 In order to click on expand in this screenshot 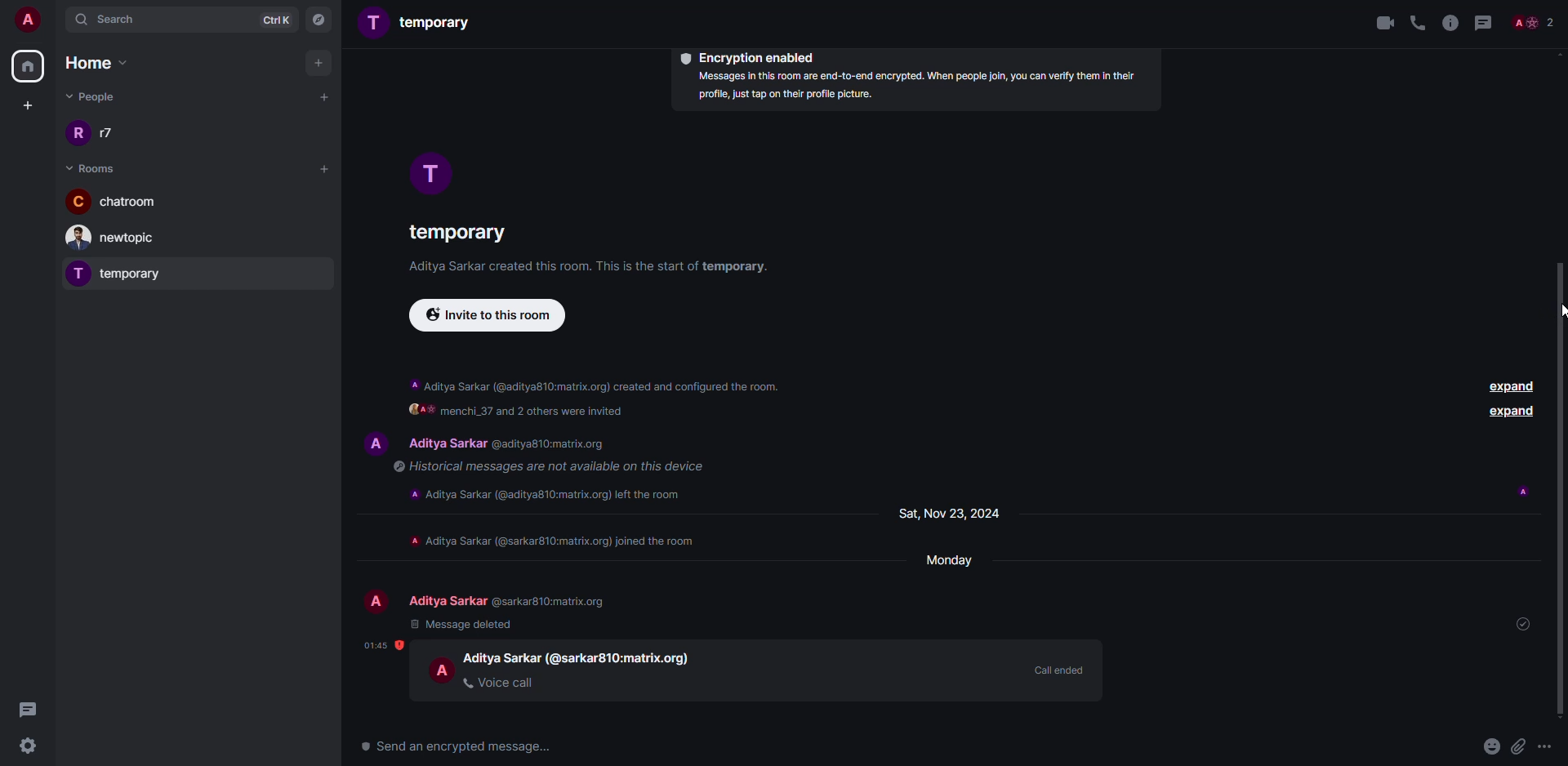, I will do `click(1511, 413)`.